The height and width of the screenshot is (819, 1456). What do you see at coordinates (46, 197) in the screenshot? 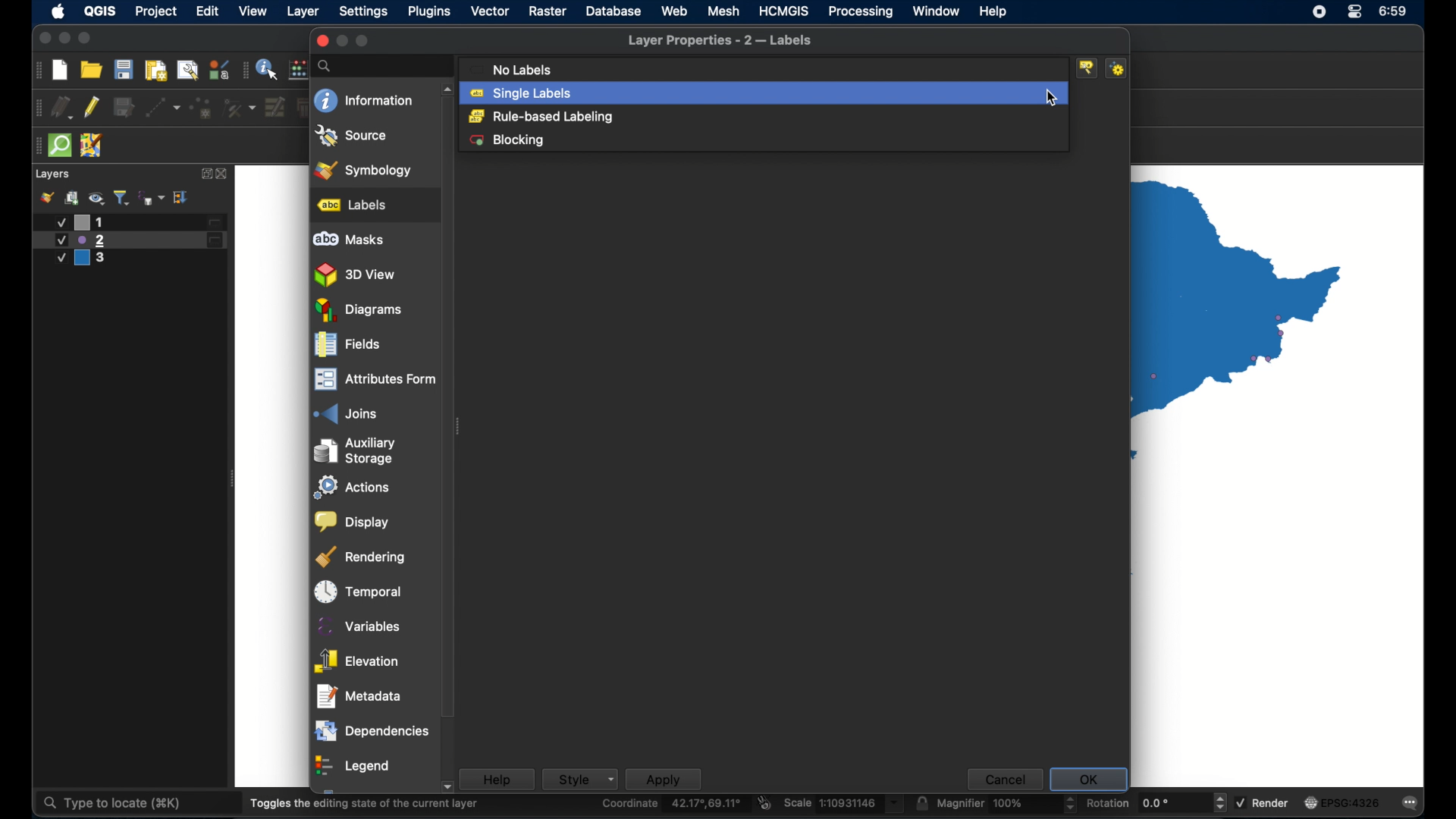
I see `styling panel` at bounding box center [46, 197].